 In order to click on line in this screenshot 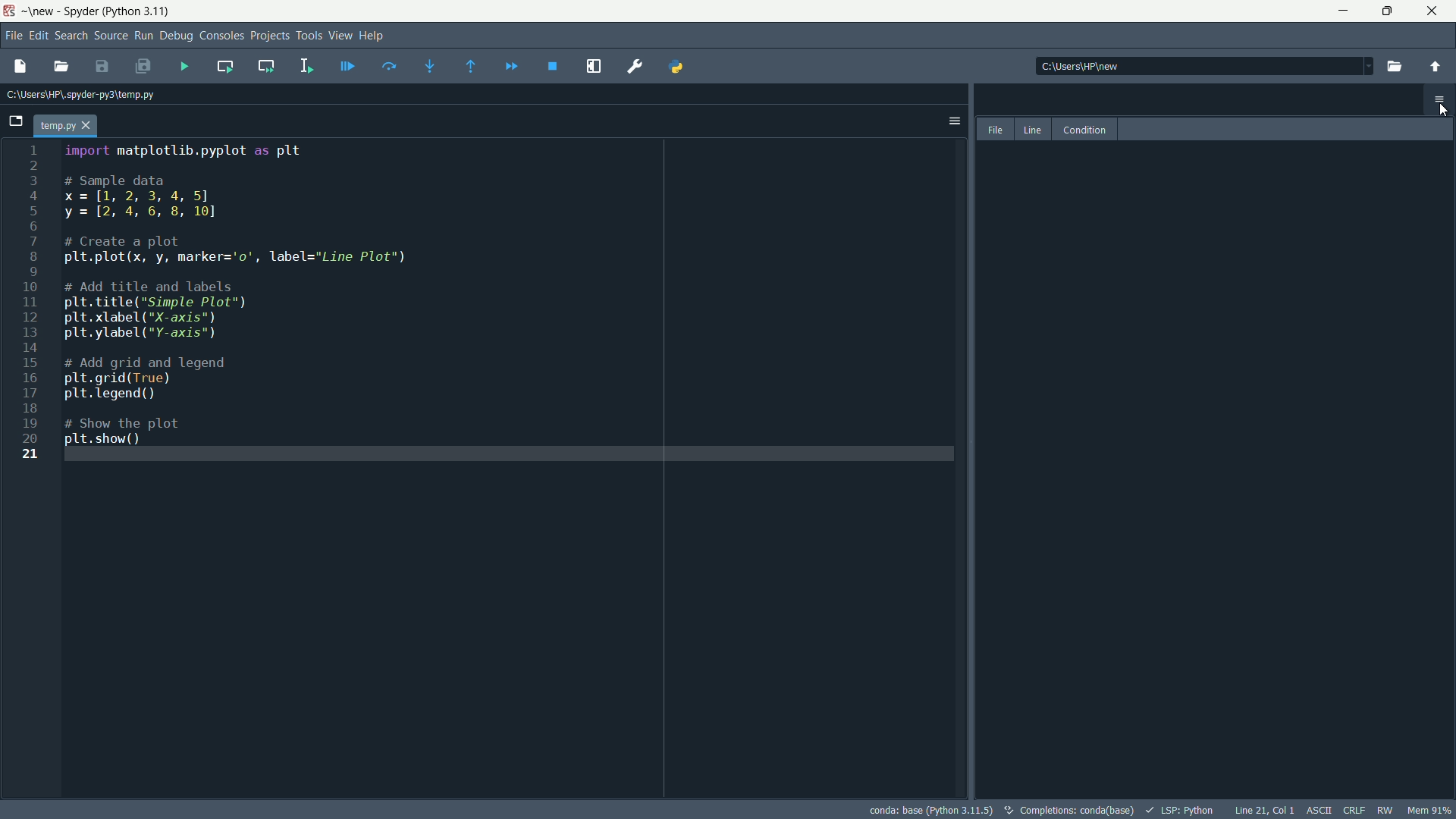, I will do `click(1033, 129)`.